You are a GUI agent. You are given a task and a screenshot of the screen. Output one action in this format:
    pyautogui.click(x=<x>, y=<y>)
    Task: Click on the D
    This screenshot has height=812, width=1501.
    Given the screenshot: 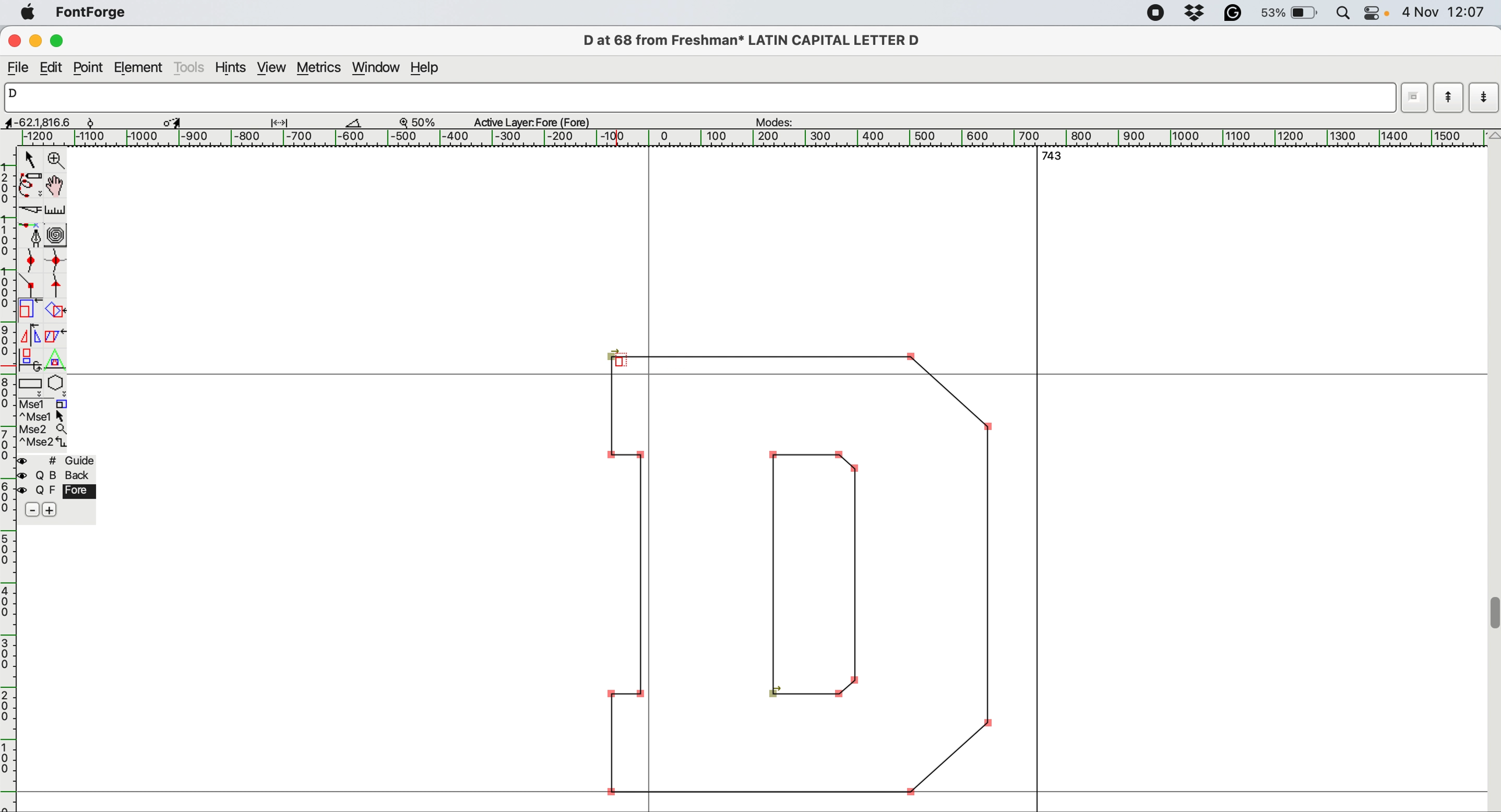 What is the action you would take?
    pyautogui.click(x=692, y=96)
    